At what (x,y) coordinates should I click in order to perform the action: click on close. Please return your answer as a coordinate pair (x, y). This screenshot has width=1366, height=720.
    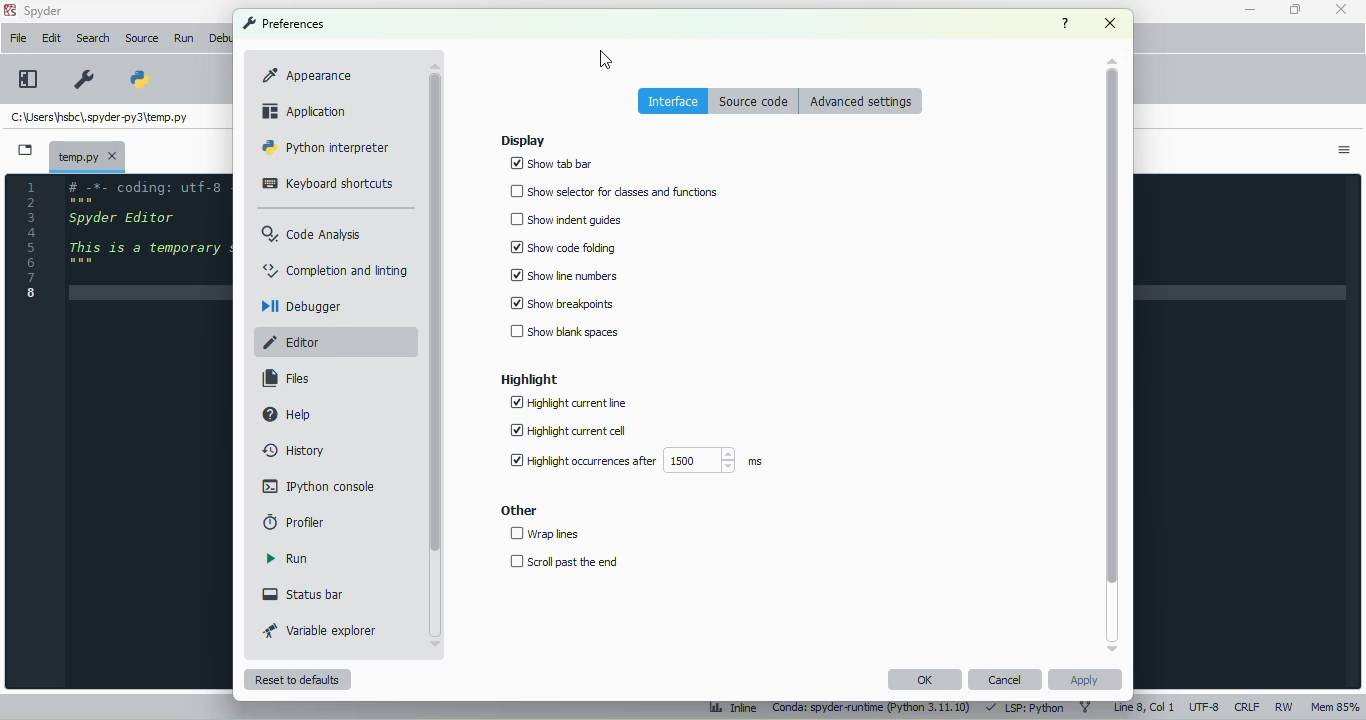
    Looking at the image, I should click on (1342, 10).